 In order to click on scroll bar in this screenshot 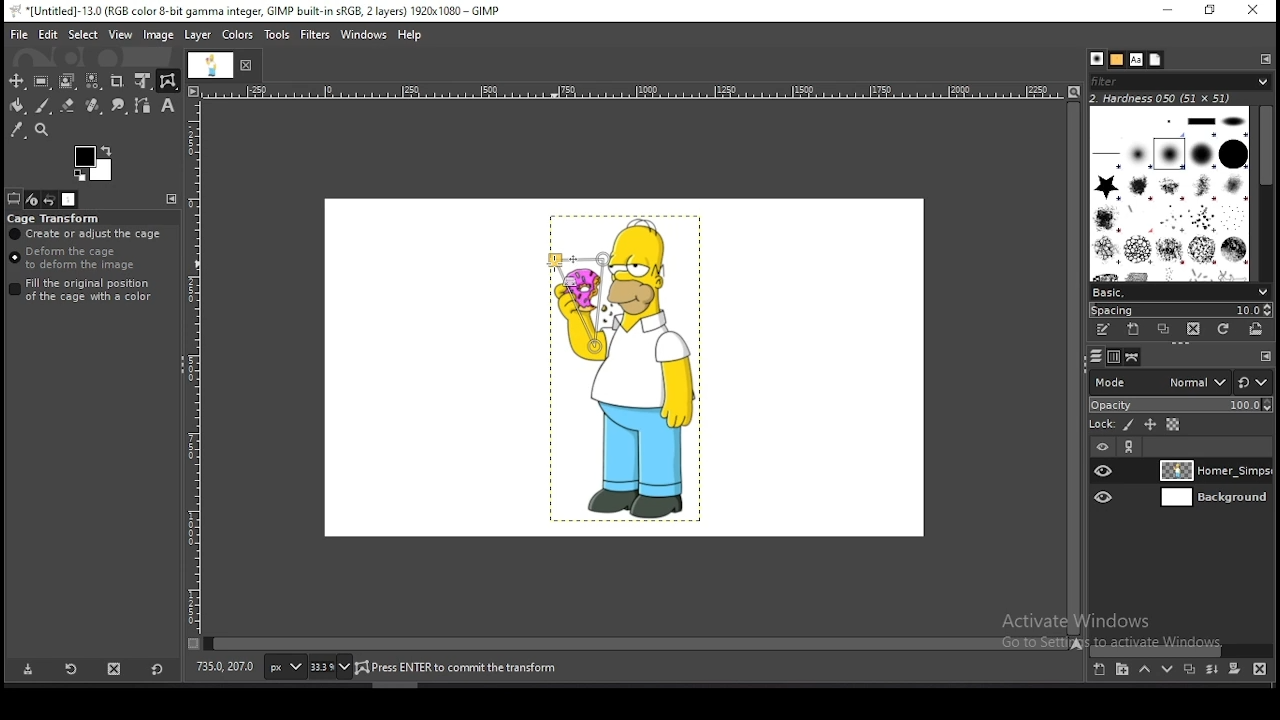, I will do `click(1072, 367)`.